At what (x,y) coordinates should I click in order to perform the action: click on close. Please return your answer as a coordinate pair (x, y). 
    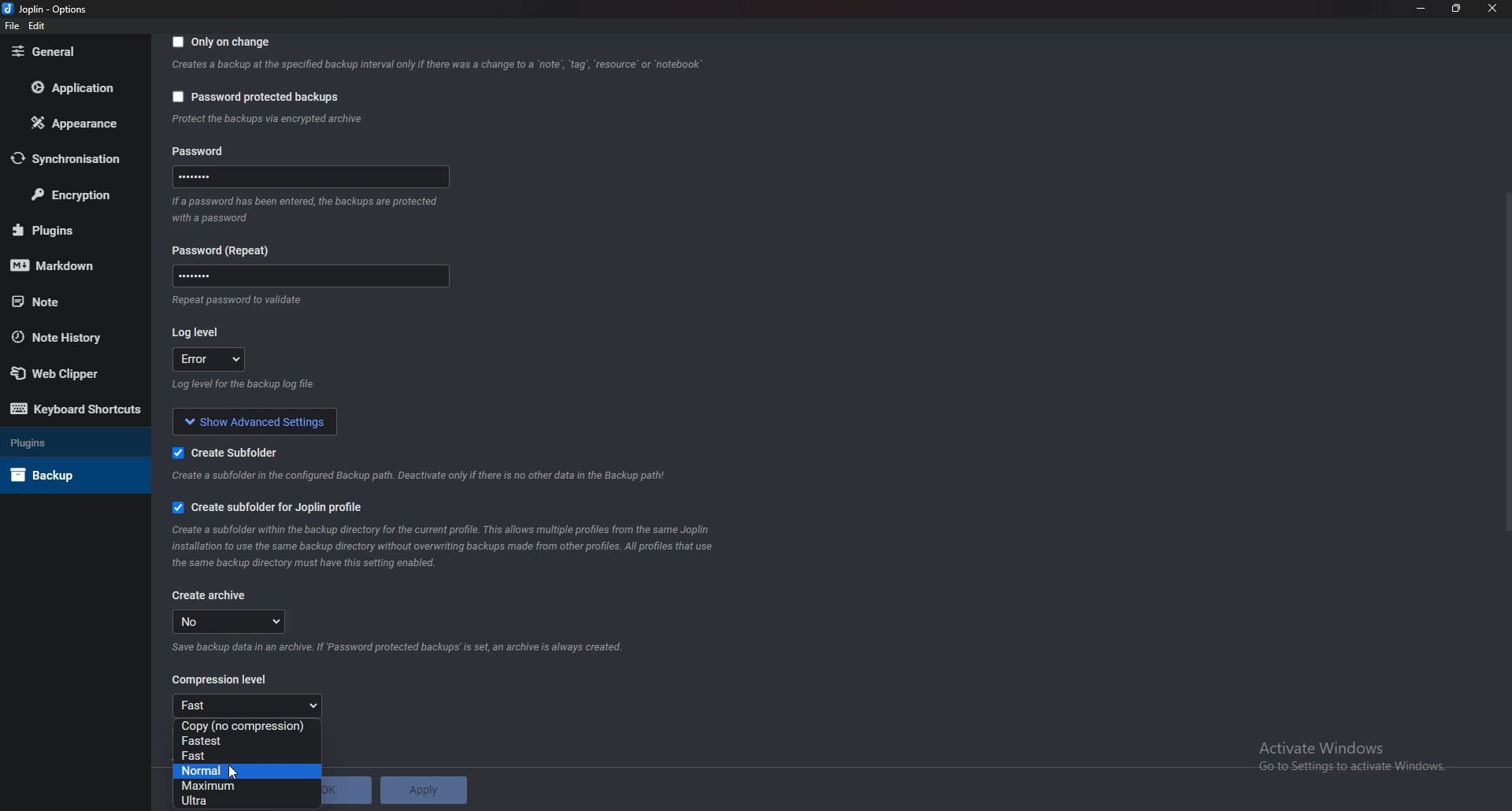
    Looking at the image, I should click on (1491, 8).